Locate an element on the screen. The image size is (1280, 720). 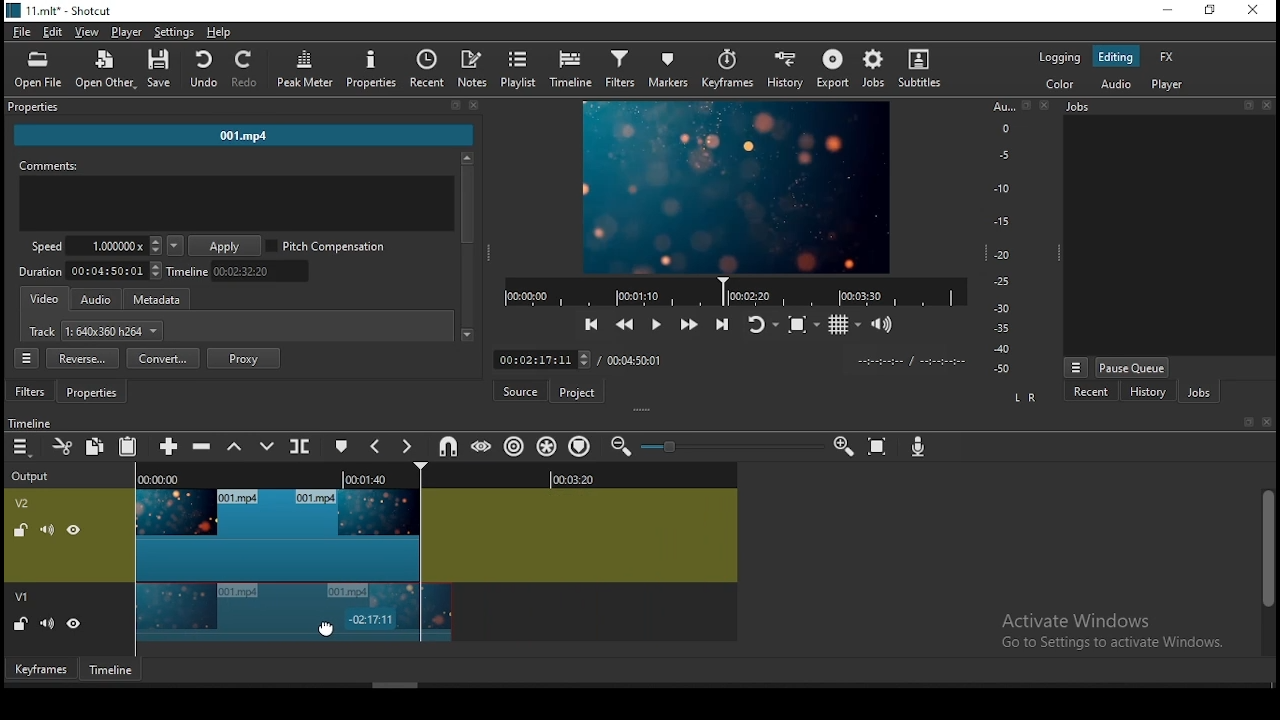
fx is located at coordinates (1170, 58).